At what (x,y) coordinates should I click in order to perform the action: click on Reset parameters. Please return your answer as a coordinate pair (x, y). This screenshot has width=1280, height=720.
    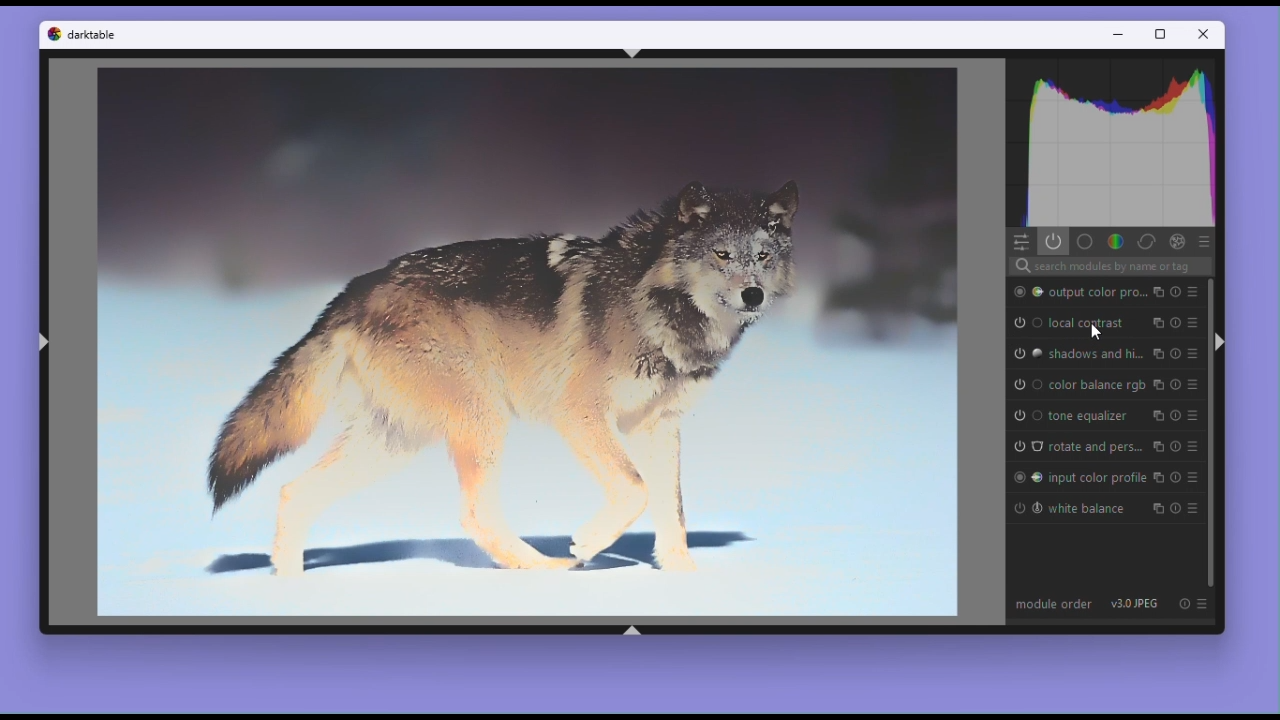
    Looking at the image, I should click on (1176, 291).